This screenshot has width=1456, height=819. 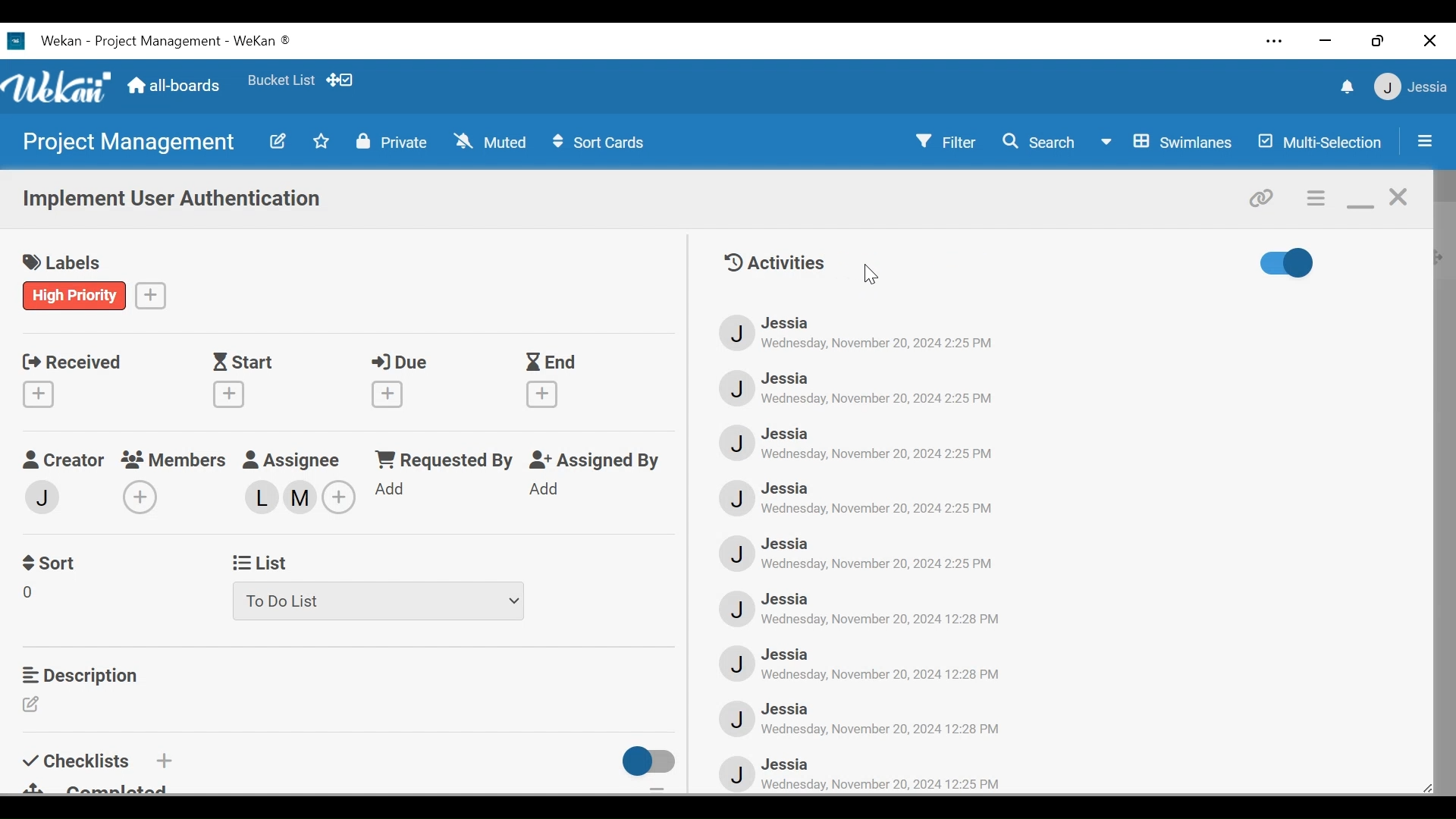 What do you see at coordinates (645, 763) in the screenshot?
I see `toggle off` at bounding box center [645, 763].